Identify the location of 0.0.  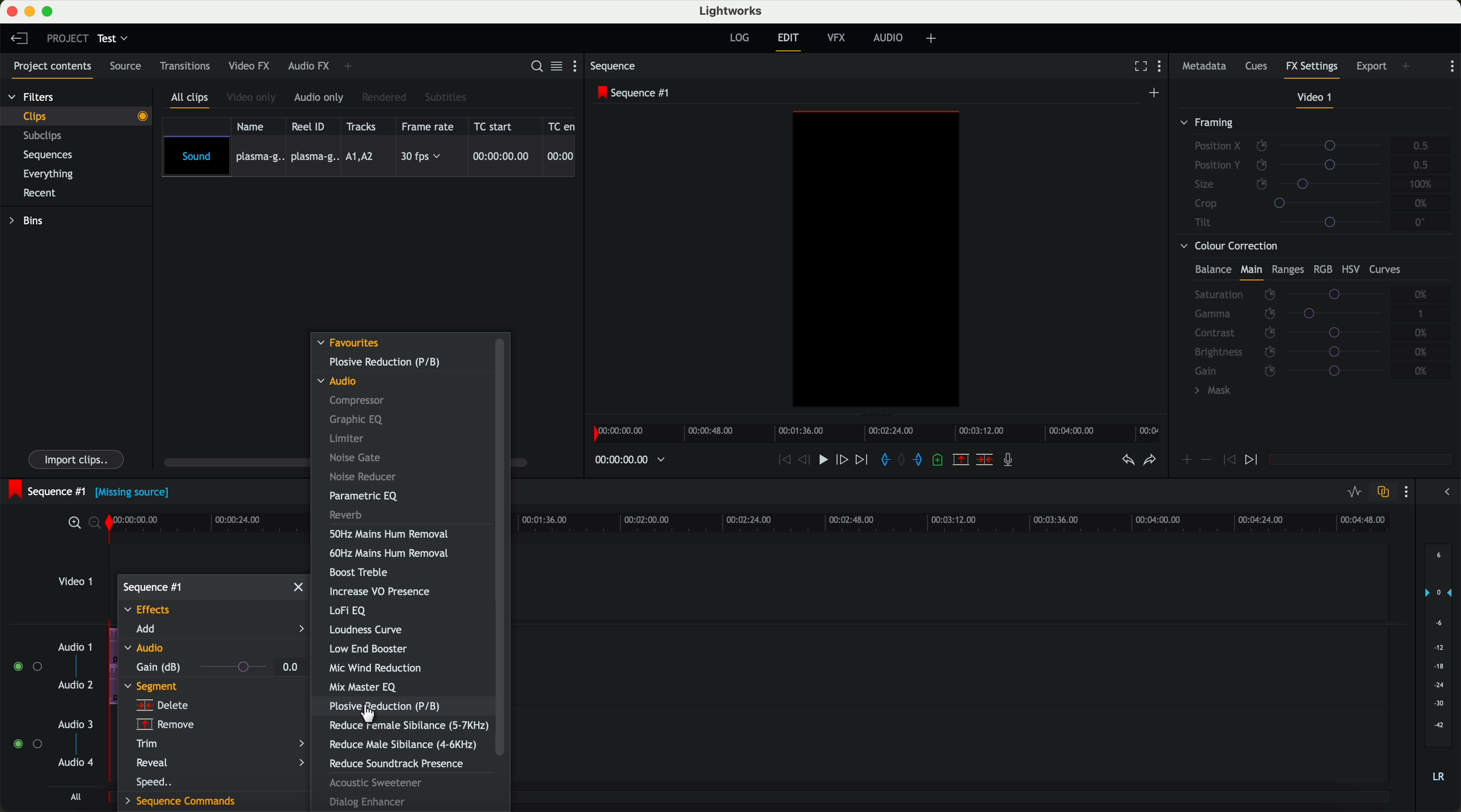
(290, 666).